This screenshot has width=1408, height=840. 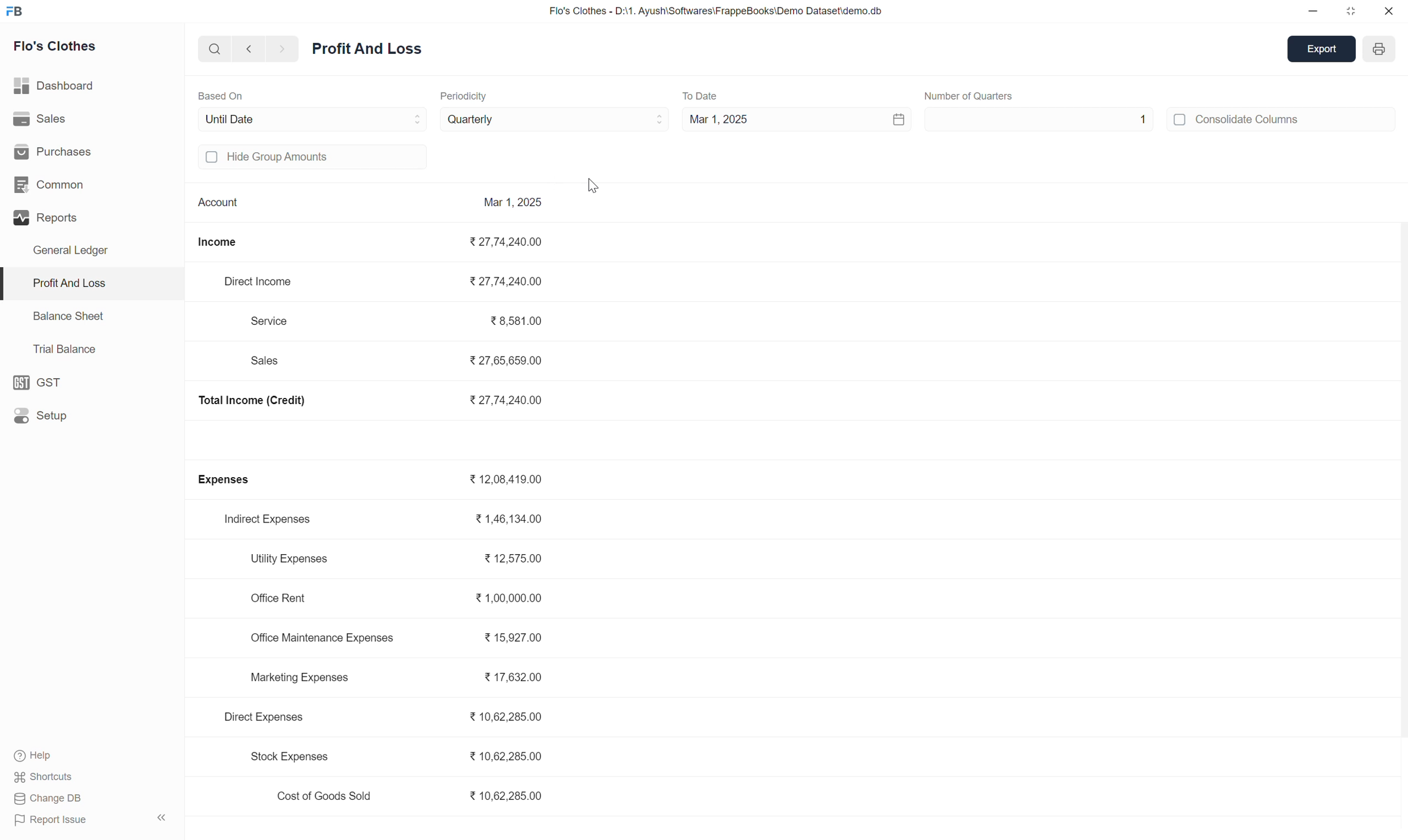 I want to click on Balance Sheet, so click(x=62, y=315).